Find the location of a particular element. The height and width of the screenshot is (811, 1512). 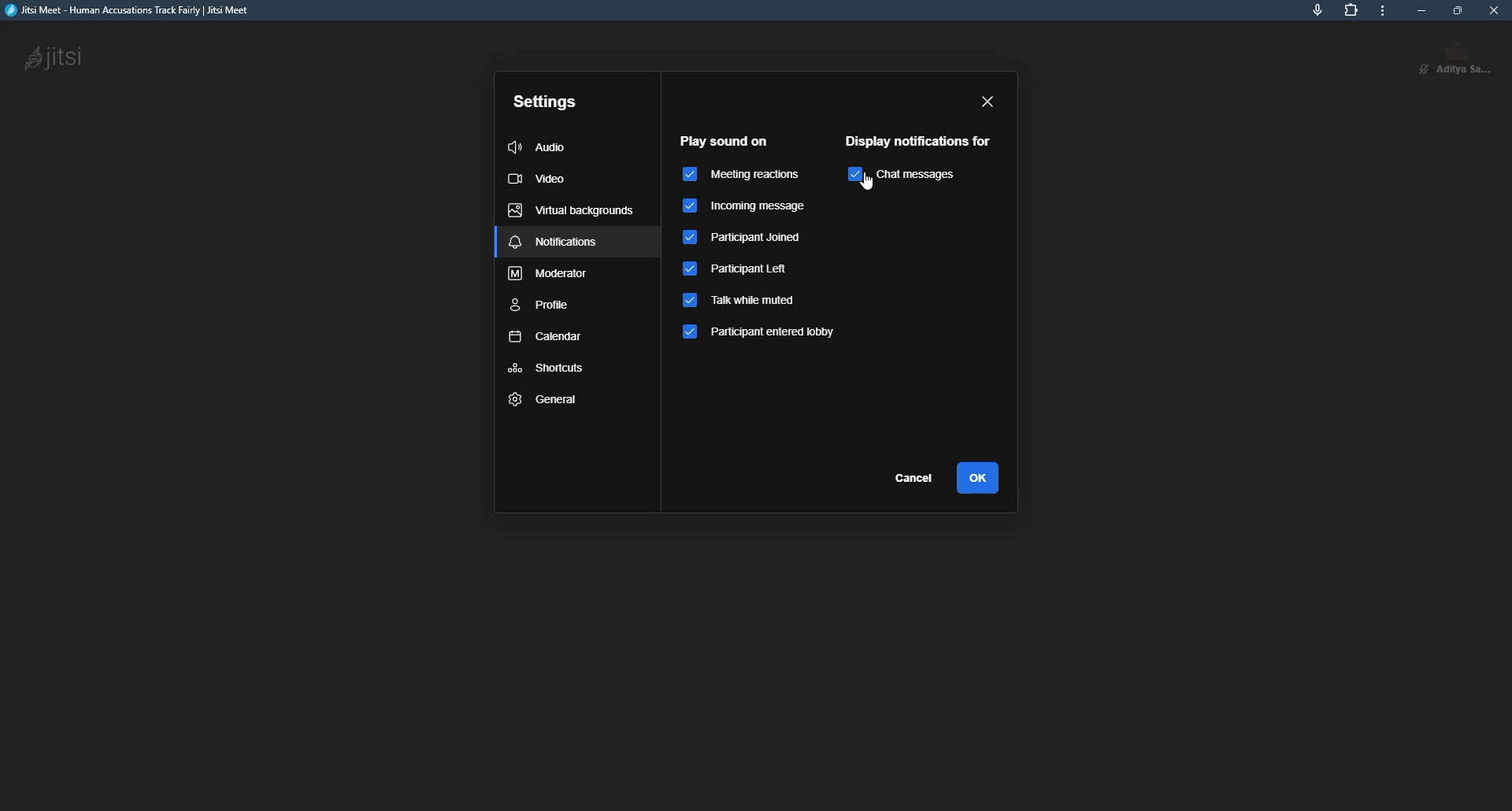

profile is located at coordinates (1467, 60).